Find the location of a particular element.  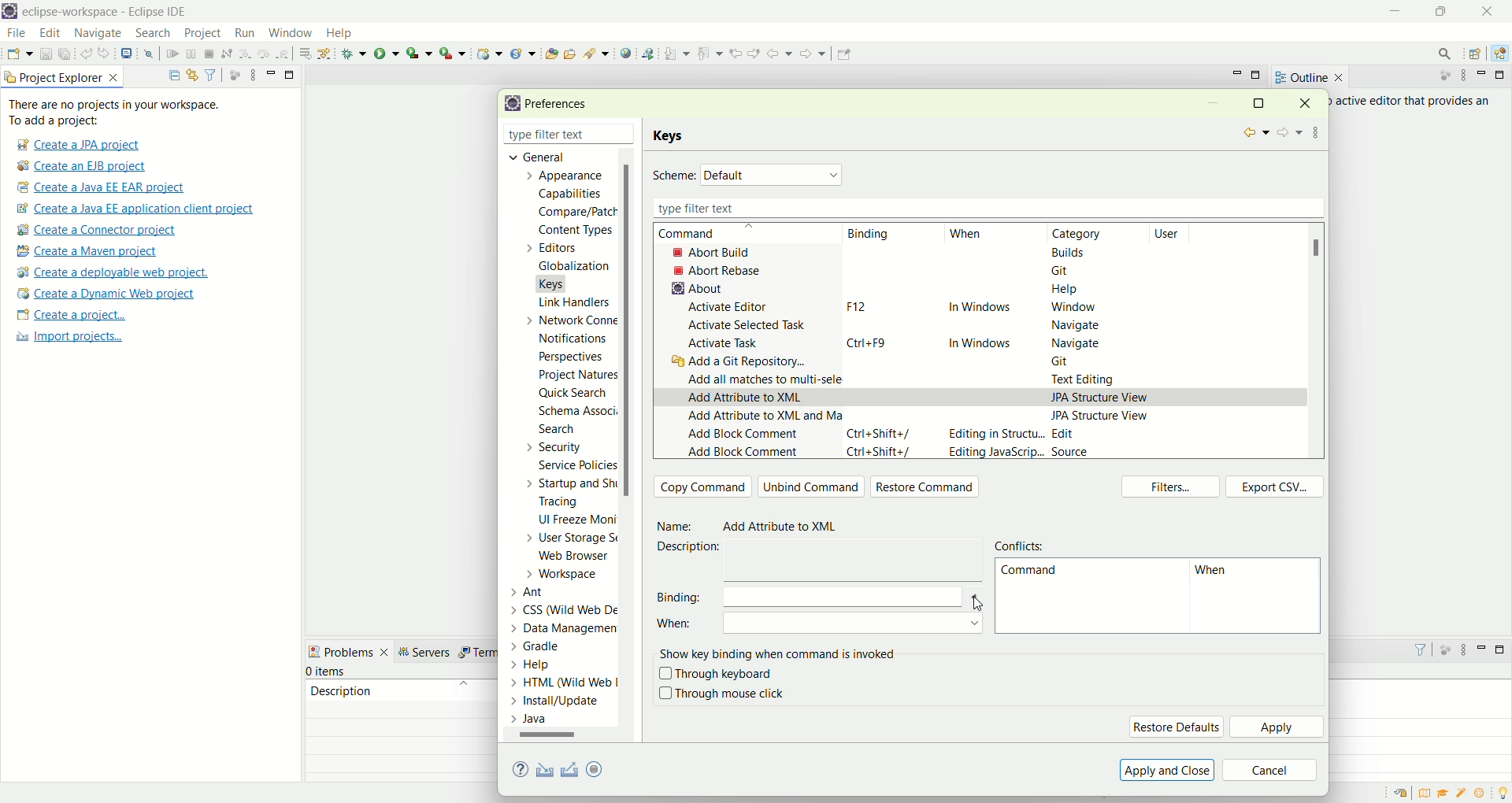

close is located at coordinates (629, 135).